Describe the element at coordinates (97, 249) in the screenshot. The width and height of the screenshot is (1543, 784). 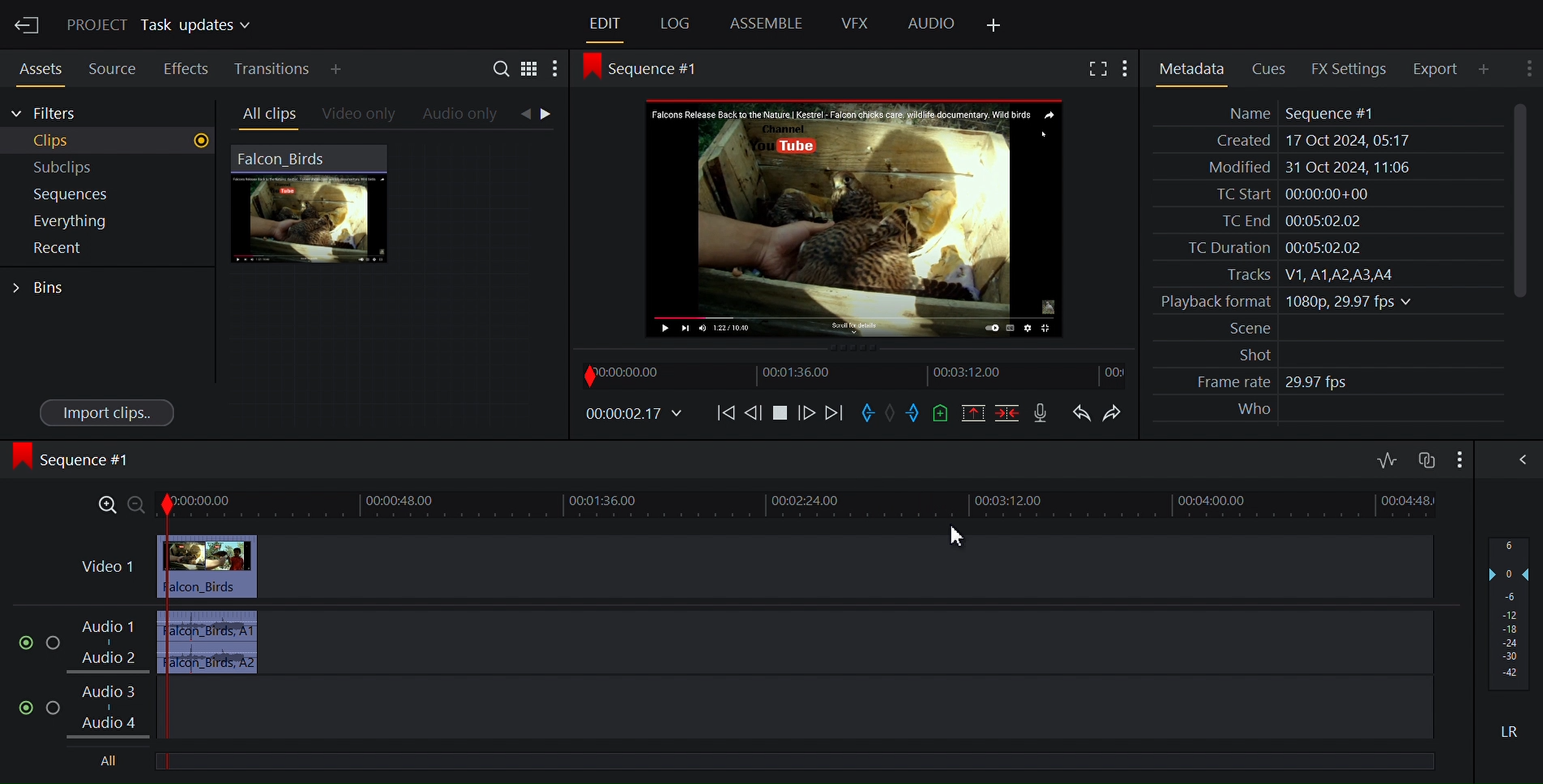
I see `Recent` at that location.